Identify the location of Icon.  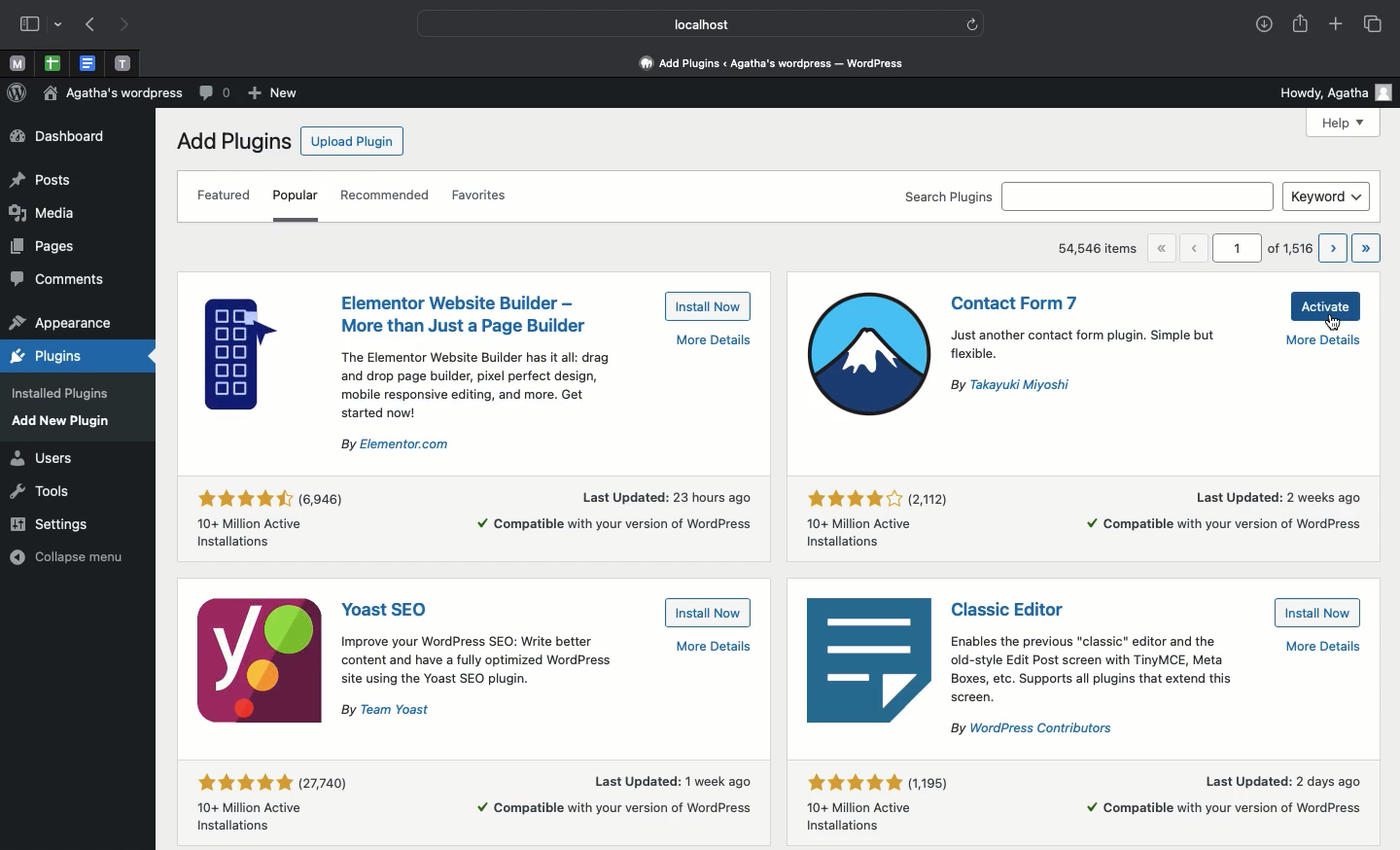
(865, 356).